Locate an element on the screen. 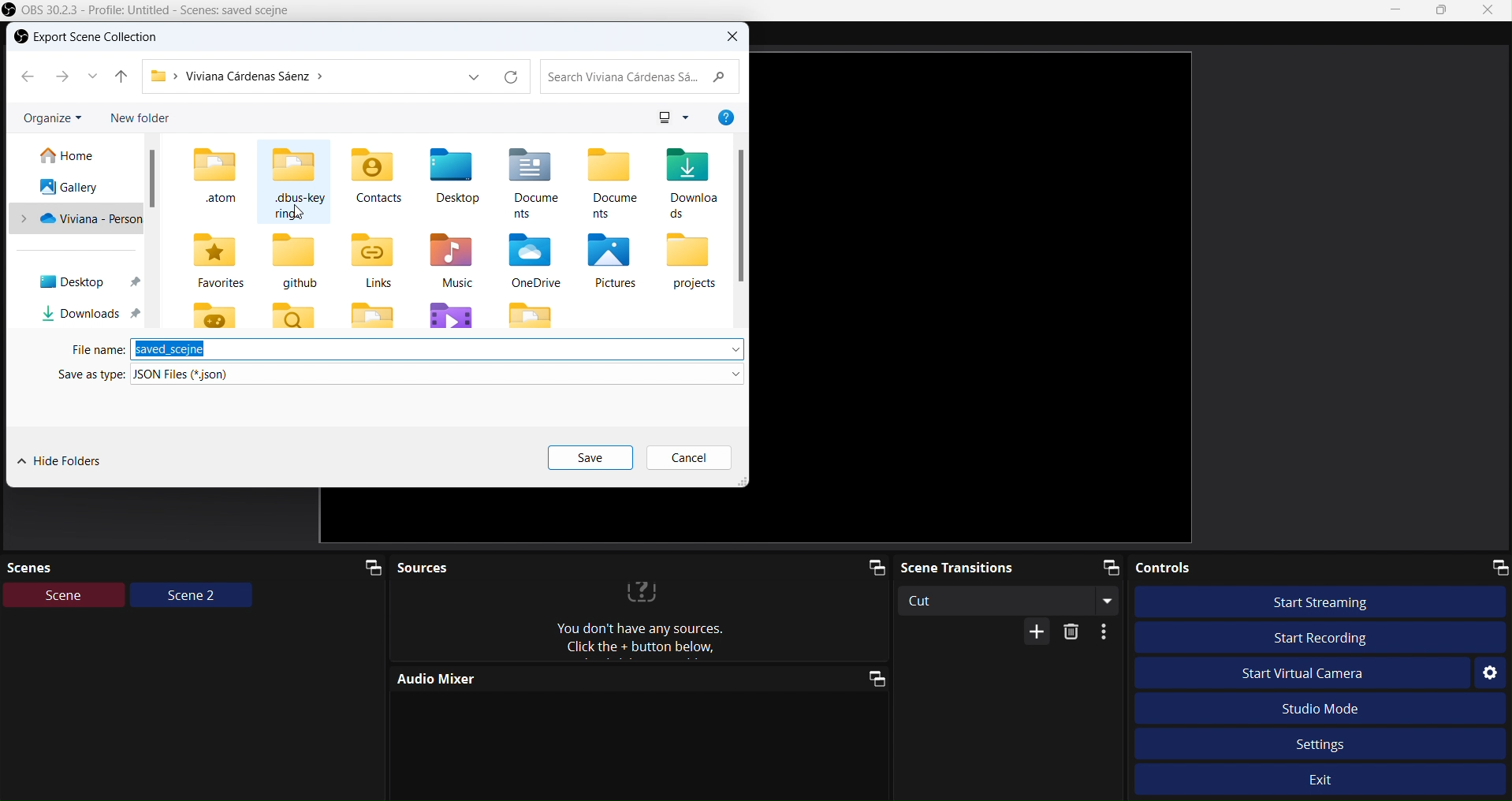 The width and height of the screenshot is (1512, 801). forward is located at coordinates (63, 76).